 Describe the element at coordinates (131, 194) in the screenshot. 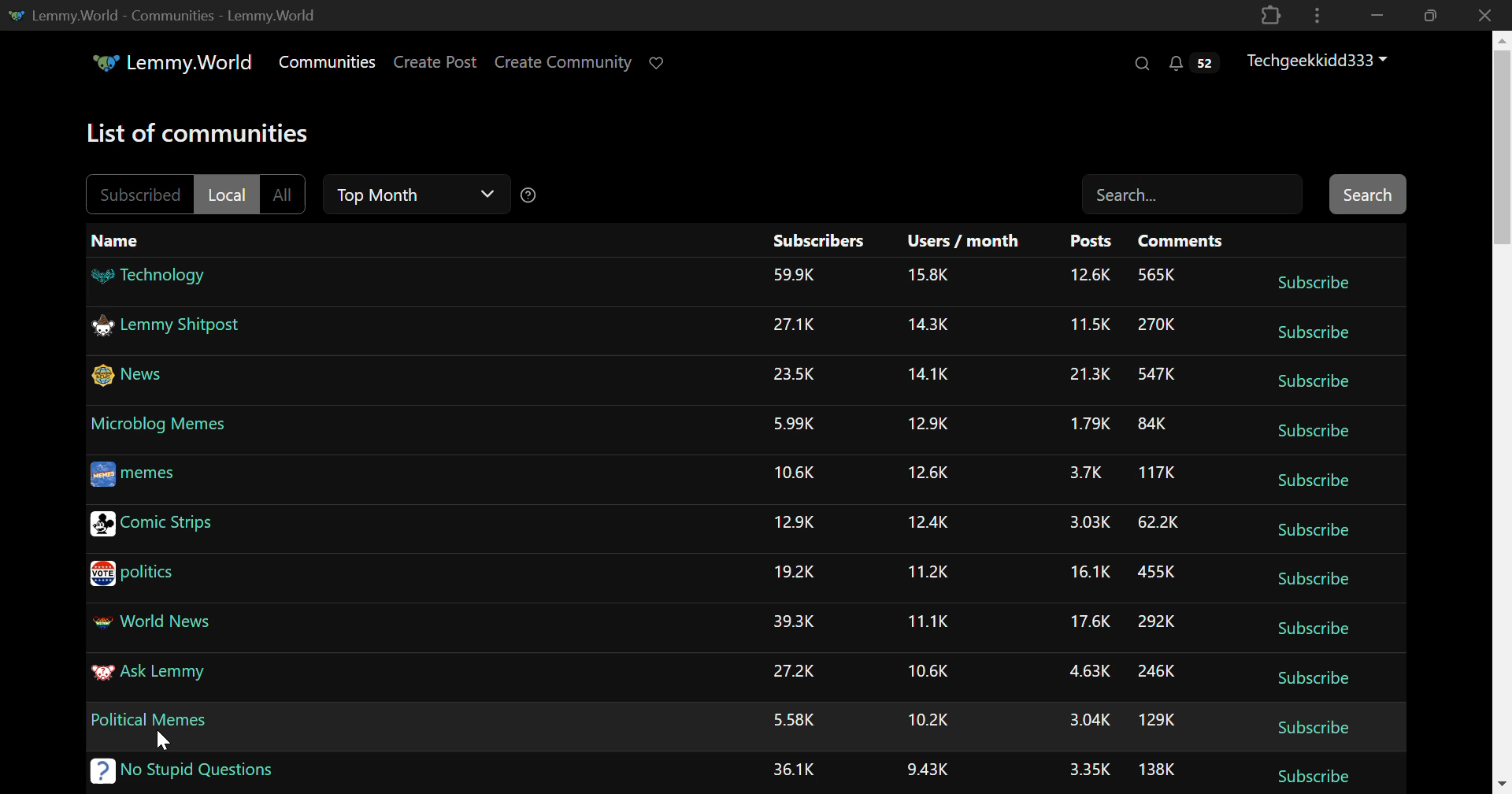

I see `Subscribed Filter Unselected` at that location.